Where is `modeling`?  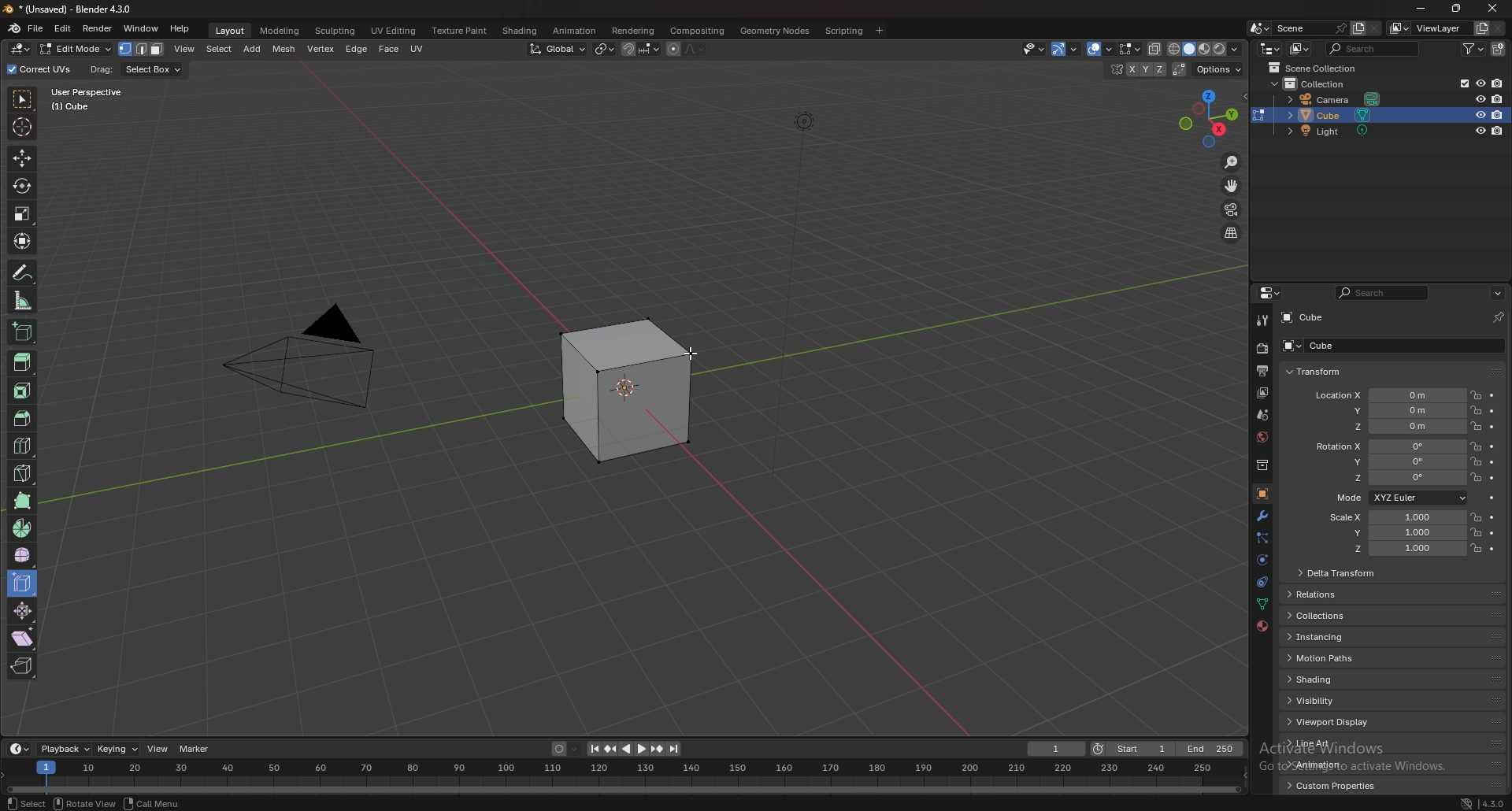 modeling is located at coordinates (279, 31).